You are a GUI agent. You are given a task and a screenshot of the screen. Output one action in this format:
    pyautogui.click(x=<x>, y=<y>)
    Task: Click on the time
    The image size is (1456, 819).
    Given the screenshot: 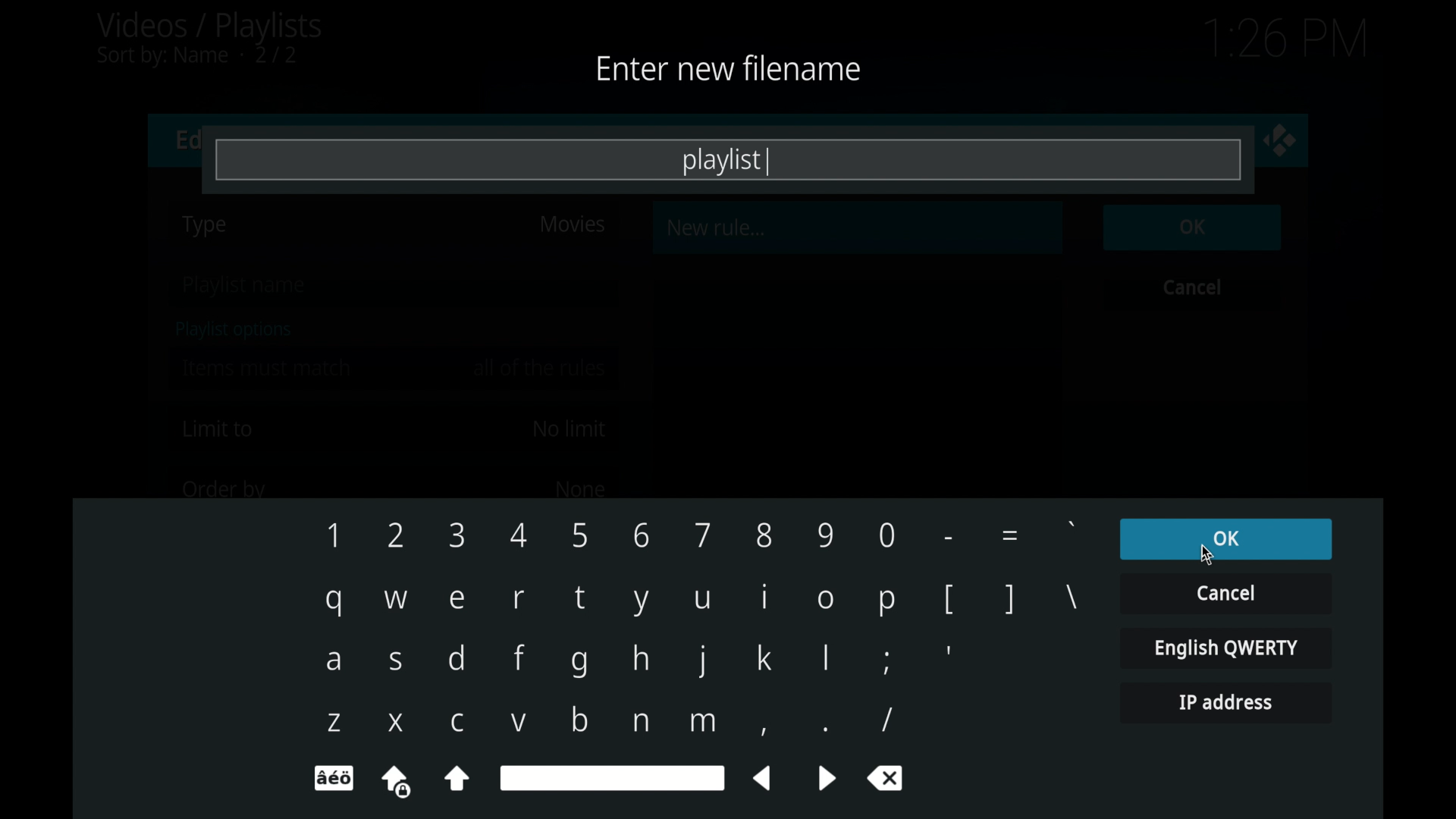 What is the action you would take?
    pyautogui.click(x=1285, y=39)
    